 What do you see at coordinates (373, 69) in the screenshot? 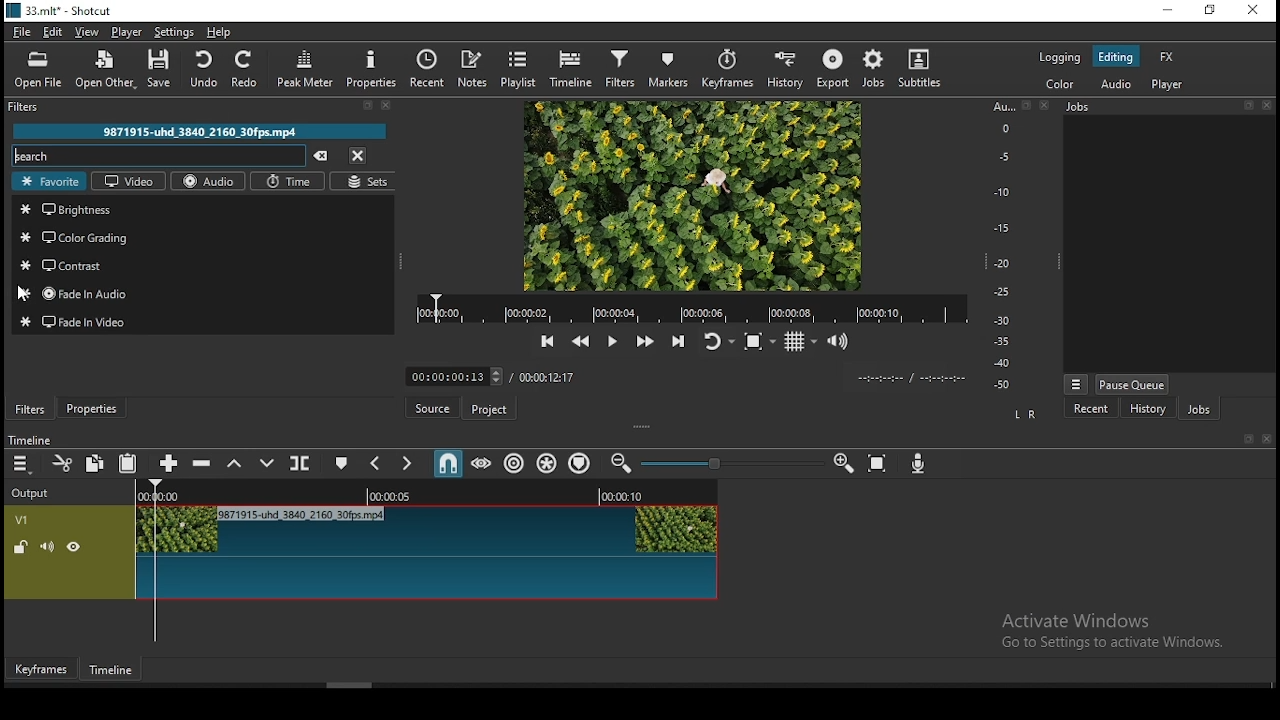
I see `properties` at bounding box center [373, 69].